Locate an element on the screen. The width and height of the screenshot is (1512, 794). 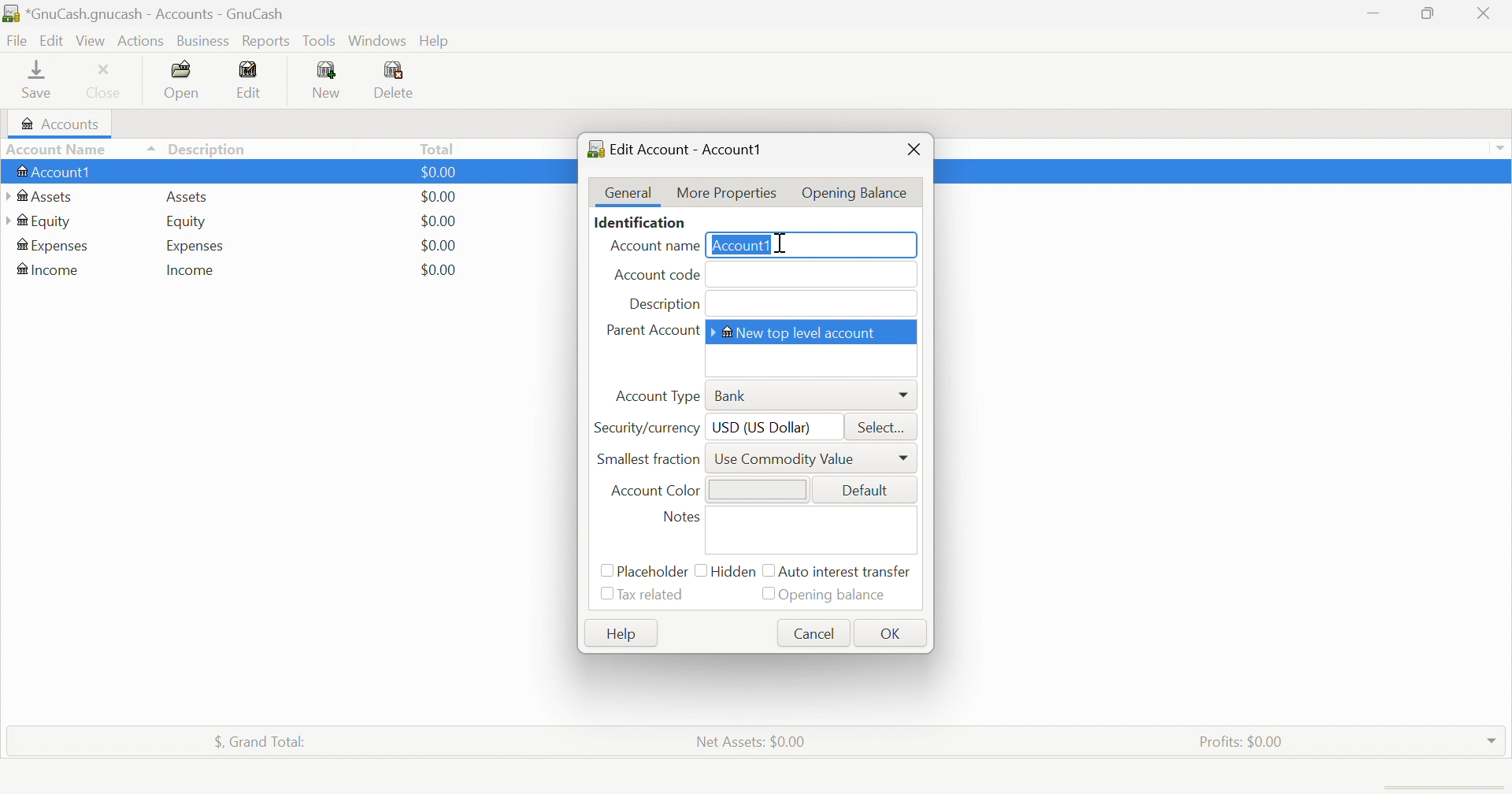
More is located at coordinates (906, 458).